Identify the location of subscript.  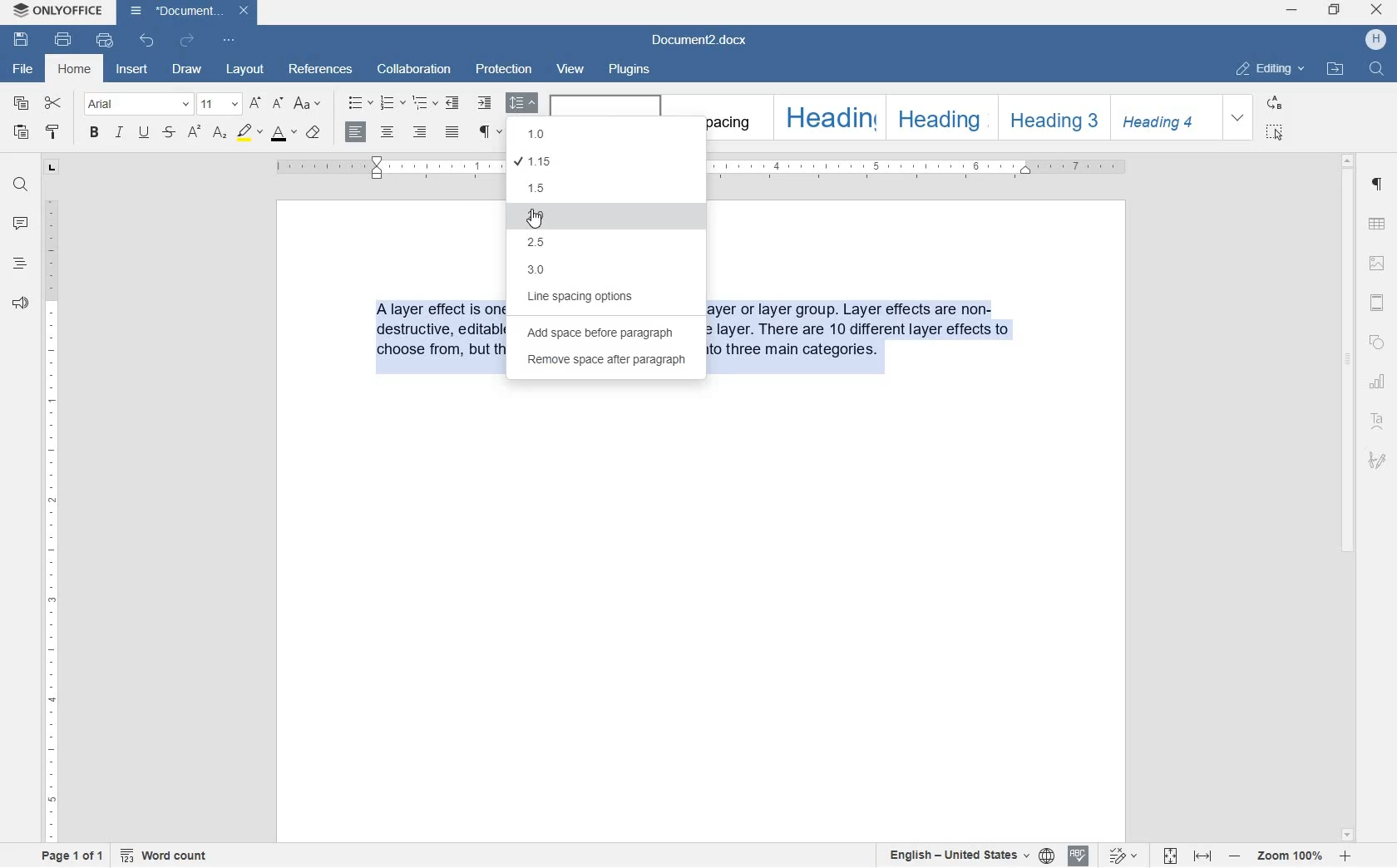
(220, 134).